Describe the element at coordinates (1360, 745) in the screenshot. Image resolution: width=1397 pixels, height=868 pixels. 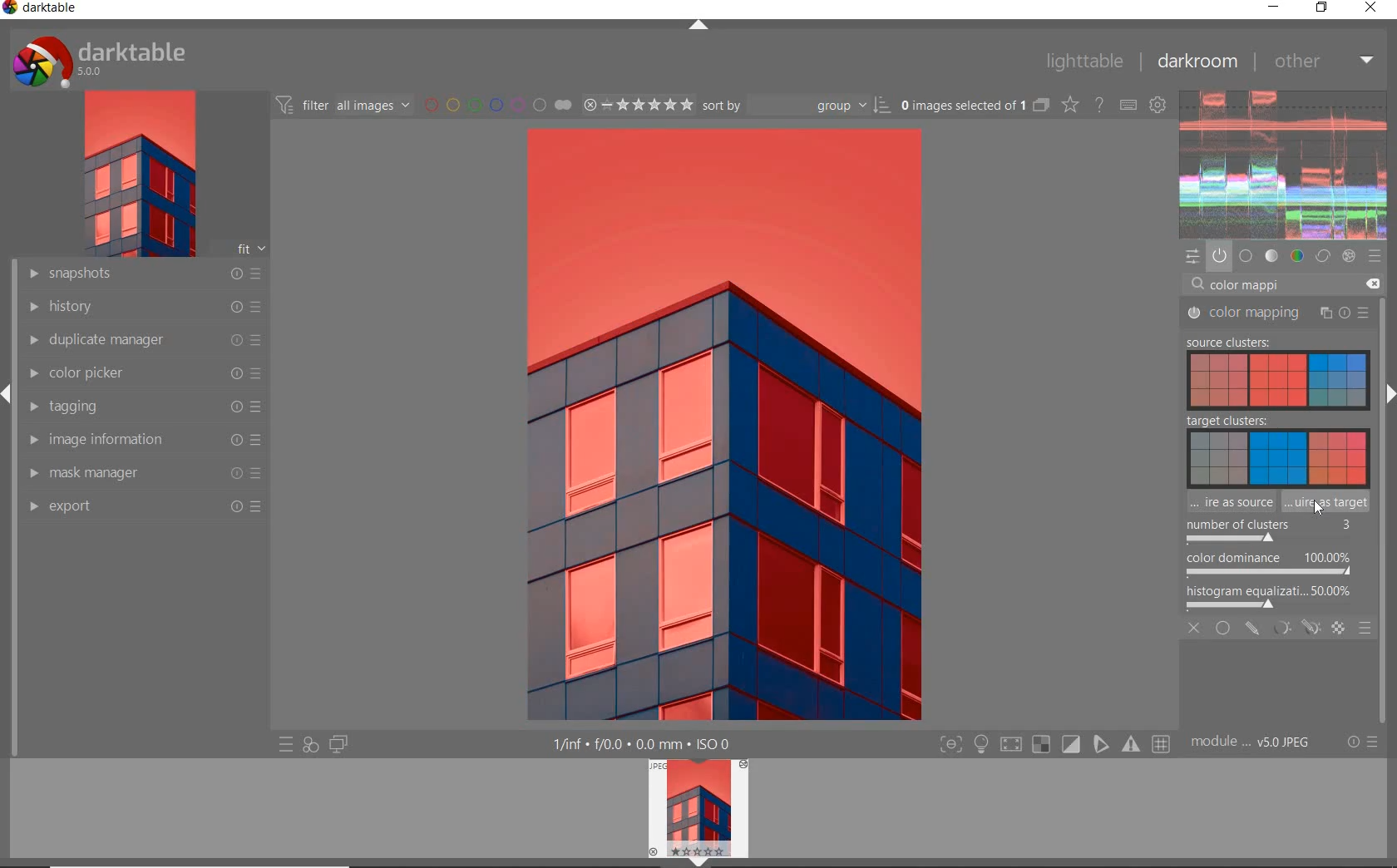
I see `reset or preset & preference` at that location.